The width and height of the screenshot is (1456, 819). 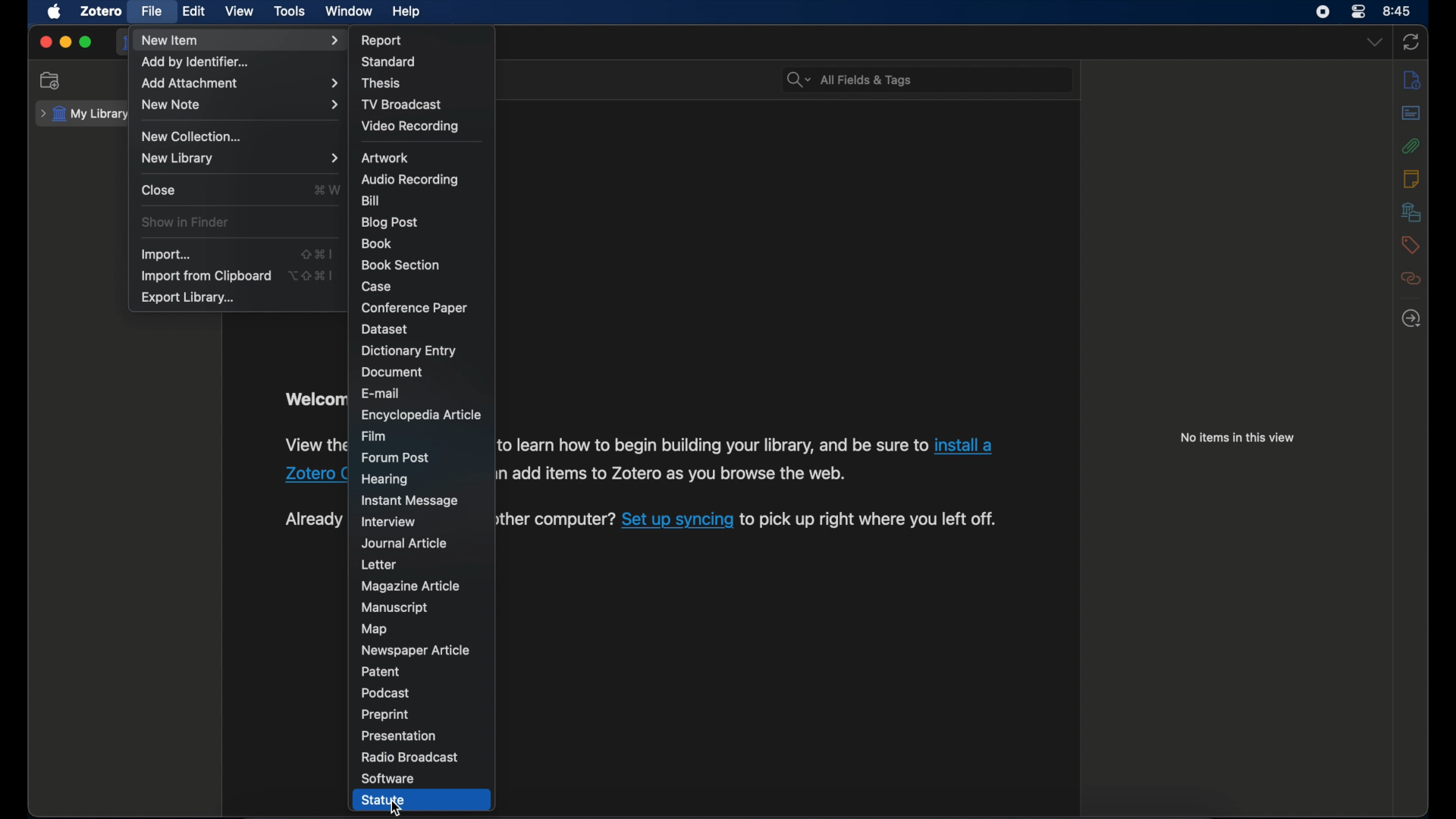 What do you see at coordinates (312, 400) in the screenshot?
I see `welcome to zotero` at bounding box center [312, 400].